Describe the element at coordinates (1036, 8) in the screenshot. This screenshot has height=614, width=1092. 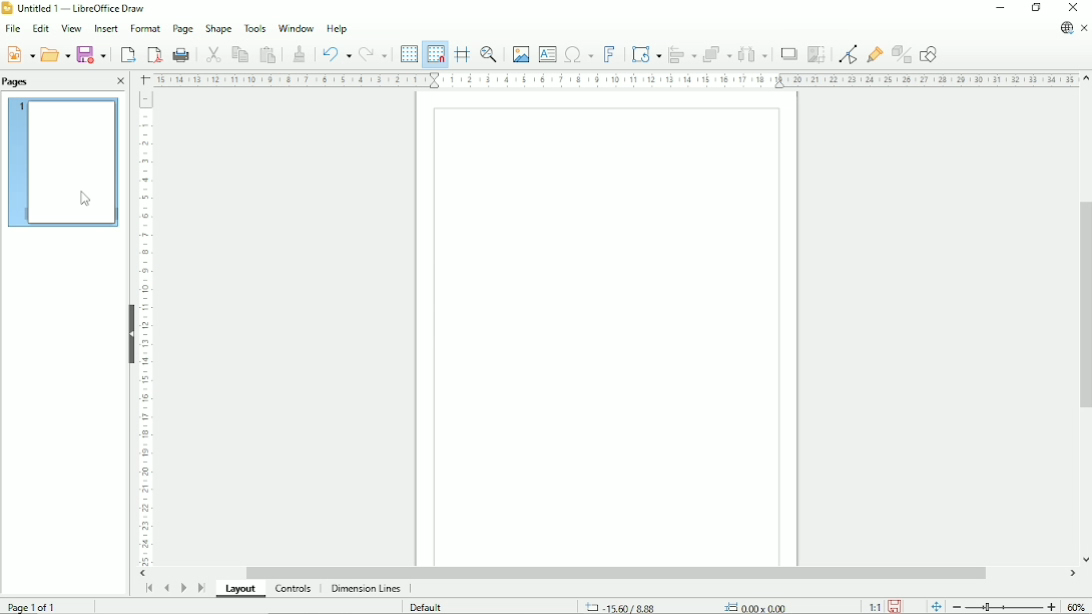
I see `Restore down` at that location.